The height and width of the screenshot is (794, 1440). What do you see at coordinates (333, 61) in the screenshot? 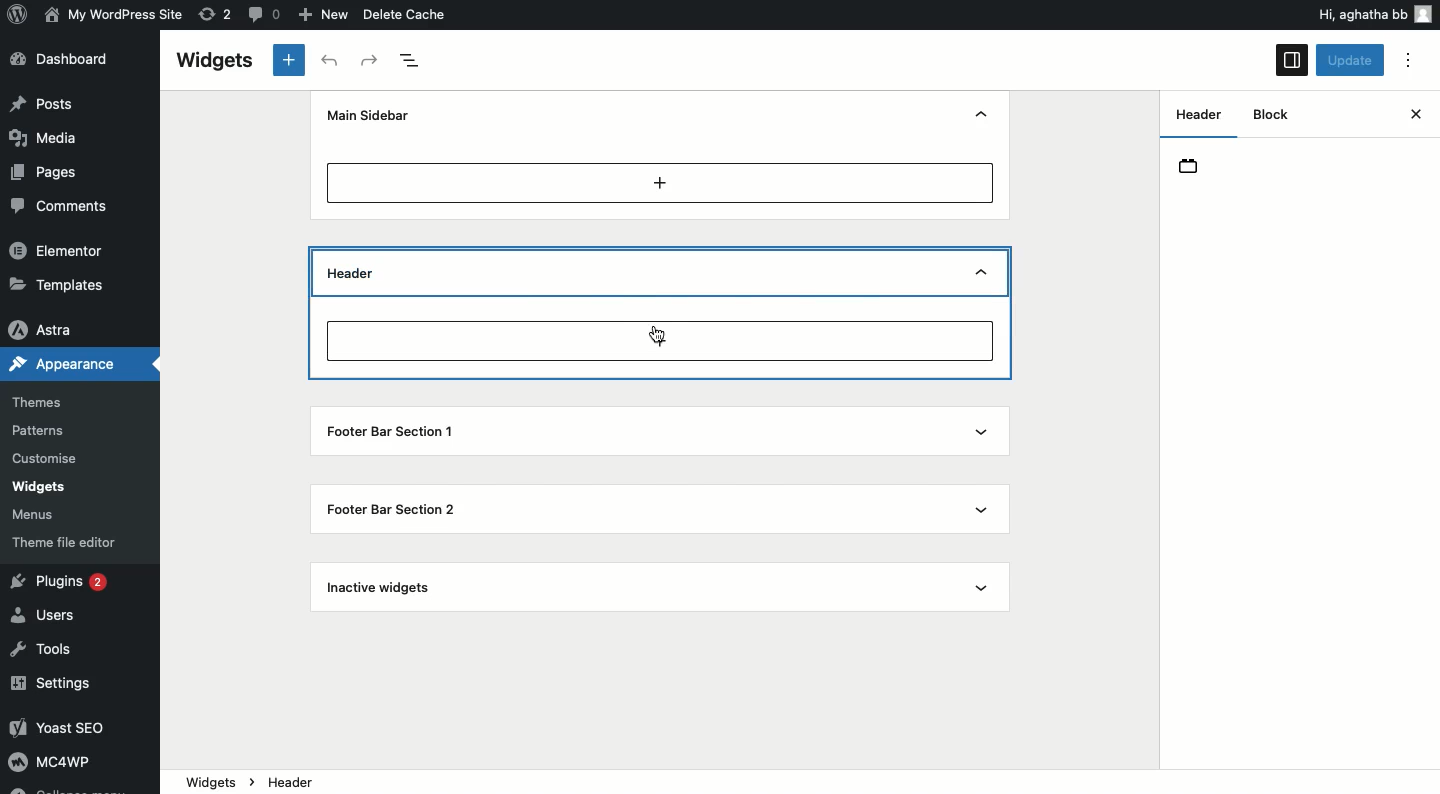
I see `Undo` at bounding box center [333, 61].